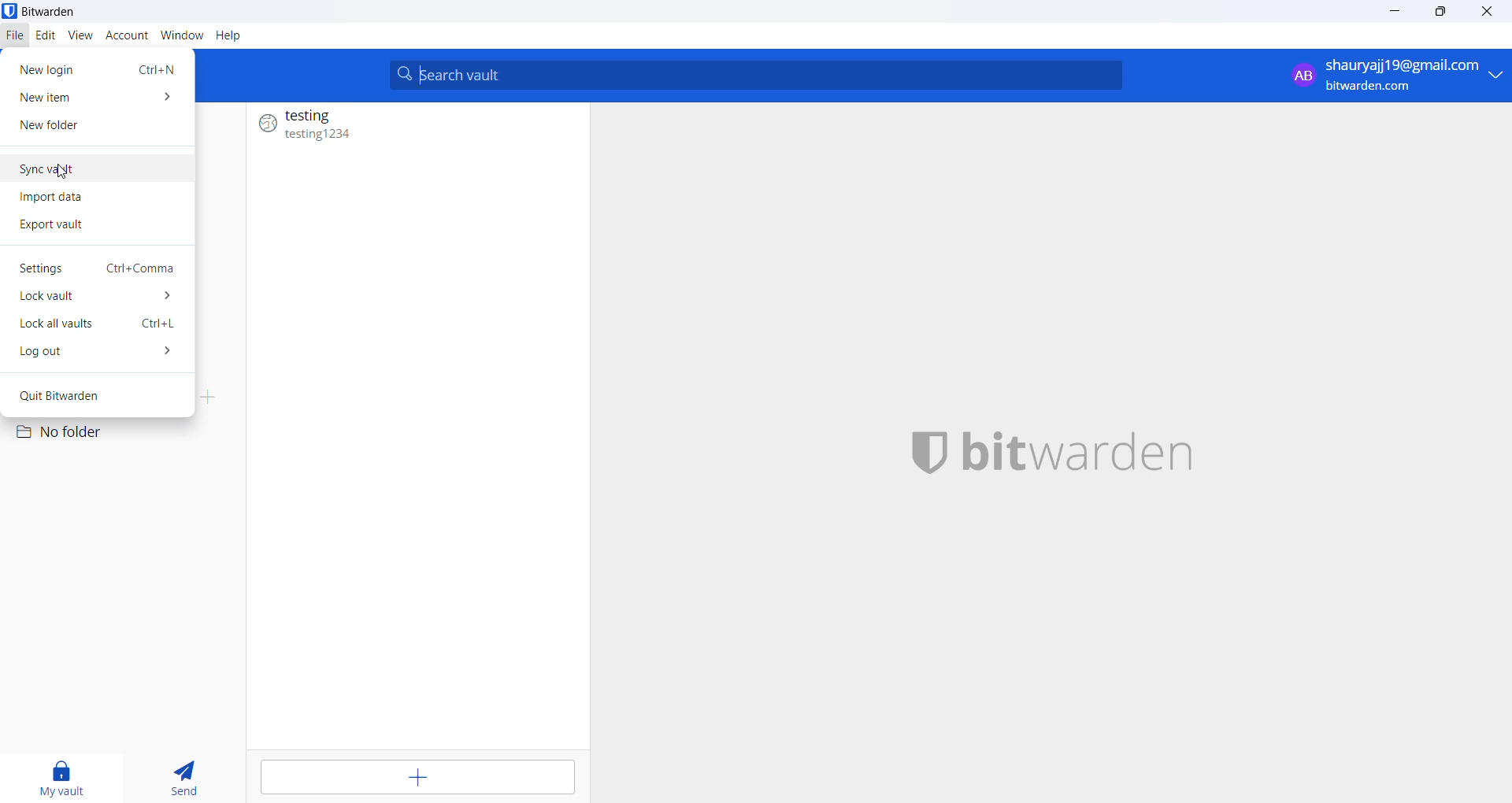 Image resolution: width=1512 pixels, height=803 pixels. Describe the element at coordinates (65, 436) in the screenshot. I see `no folder` at that location.